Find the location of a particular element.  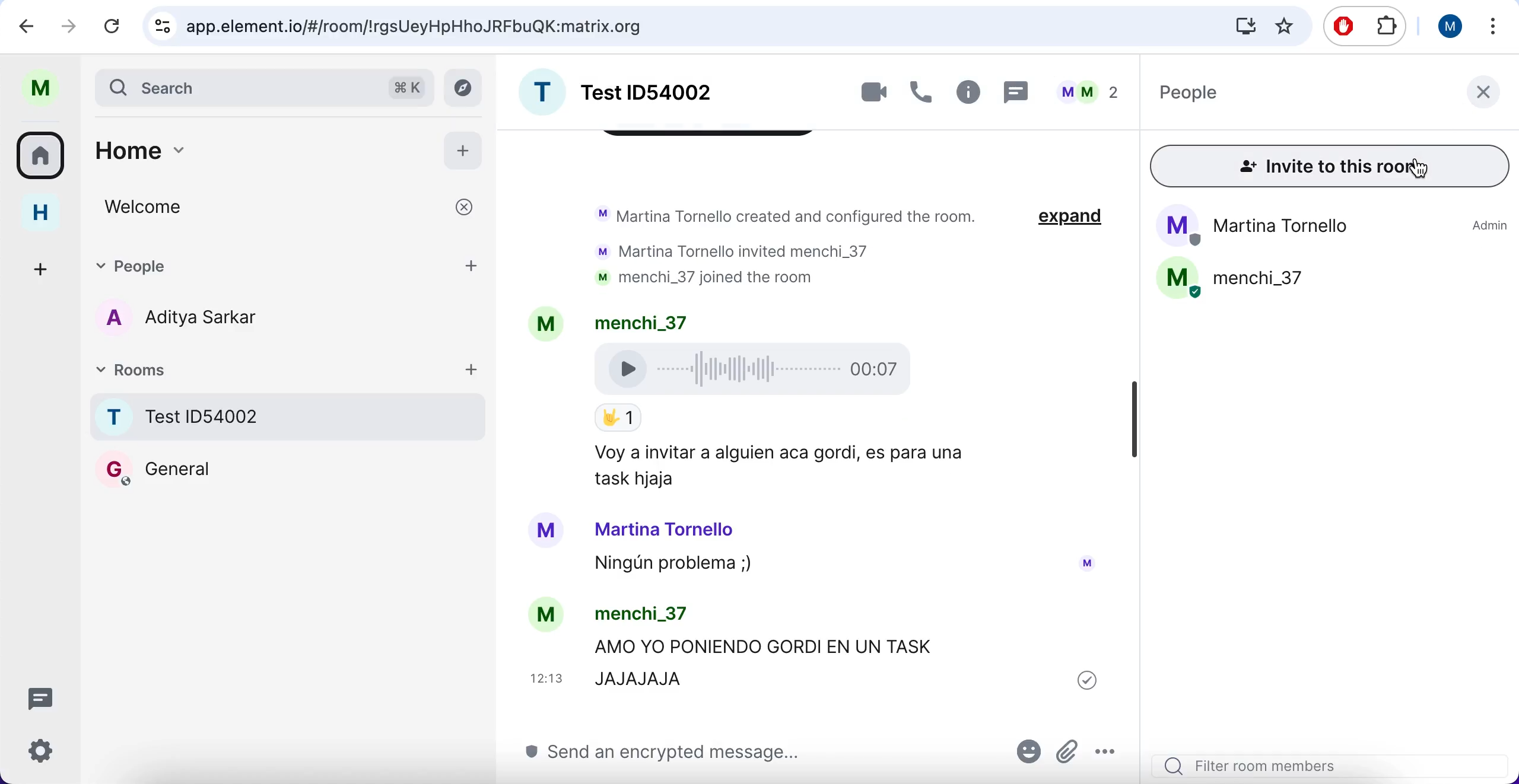

chat is located at coordinates (46, 697).